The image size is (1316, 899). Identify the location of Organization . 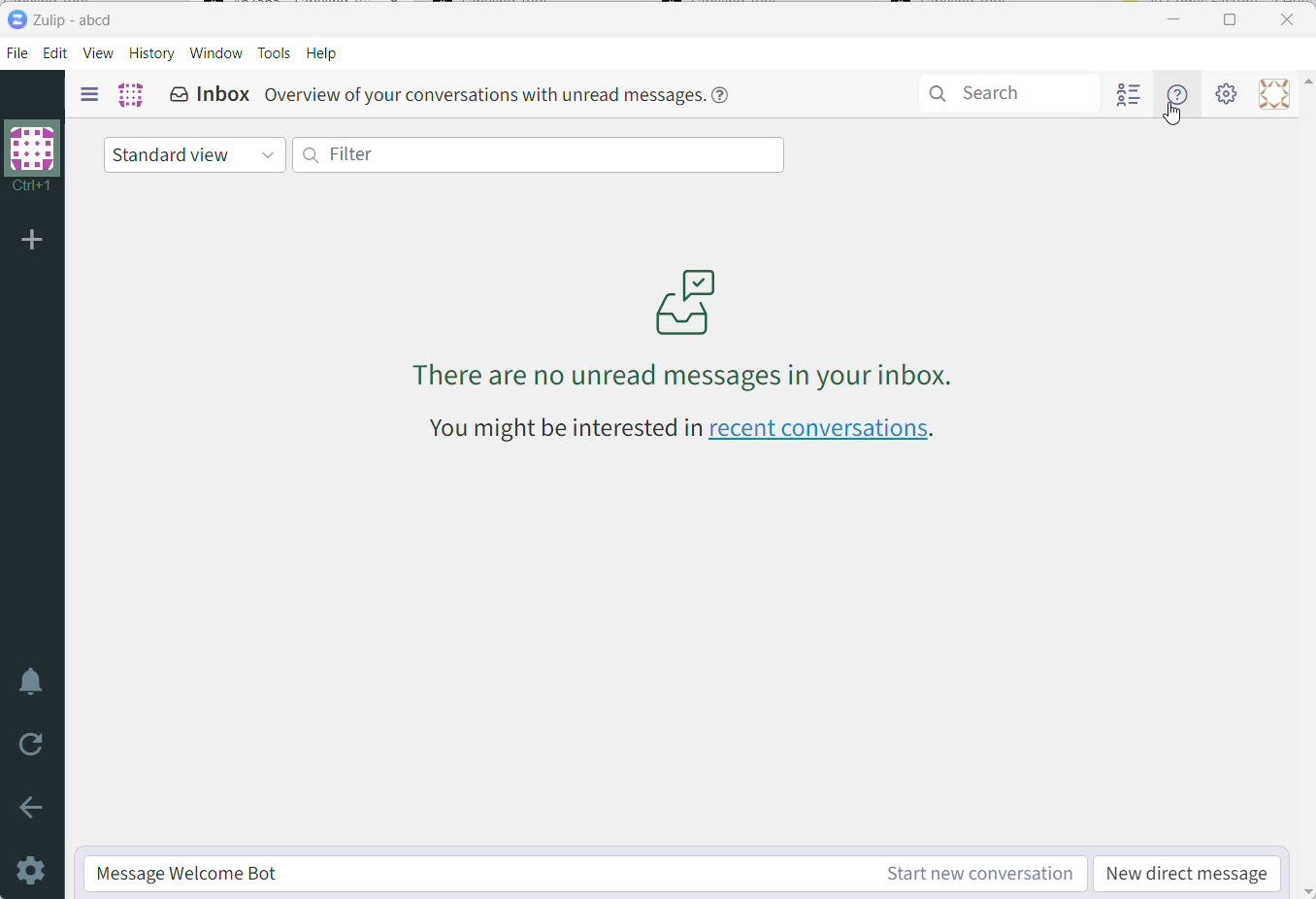
(130, 96).